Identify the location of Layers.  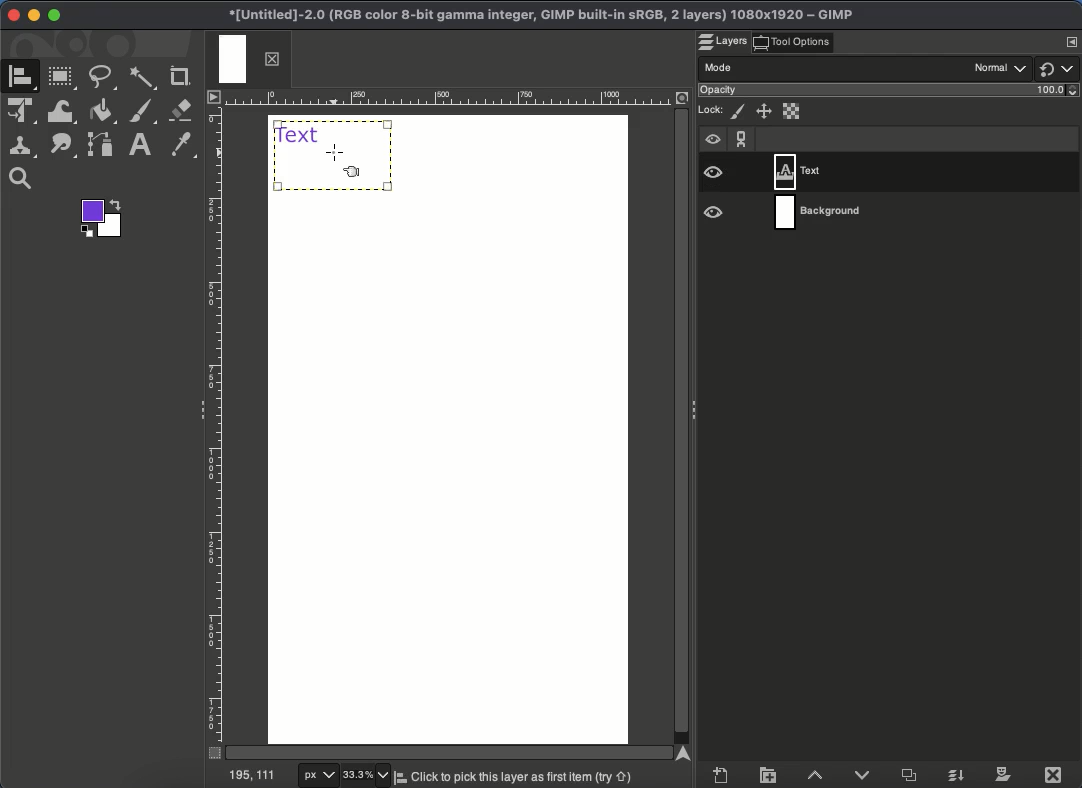
(724, 42).